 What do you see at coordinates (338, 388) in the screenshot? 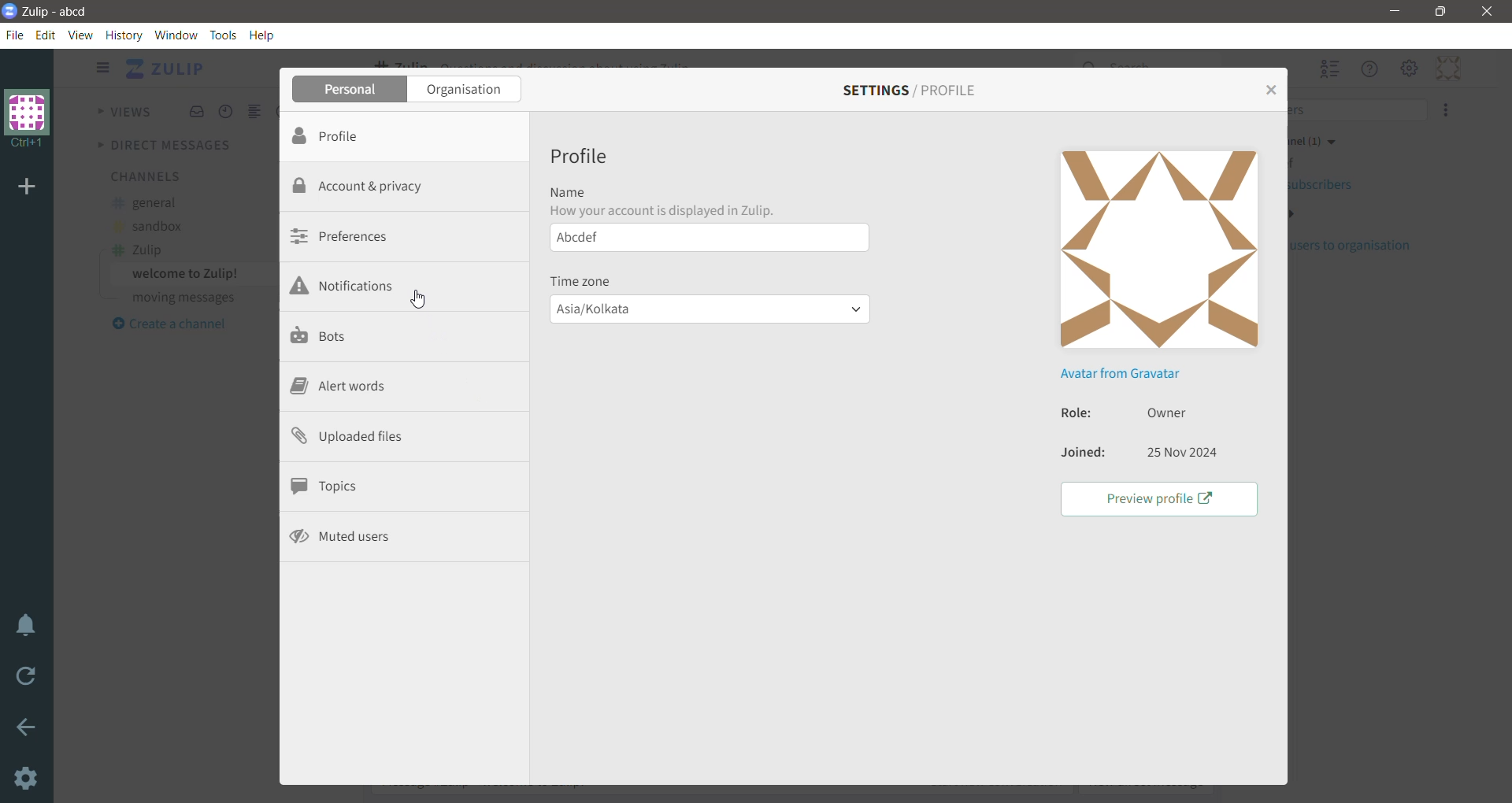
I see `Alert words` at bounding box center [338, 388].